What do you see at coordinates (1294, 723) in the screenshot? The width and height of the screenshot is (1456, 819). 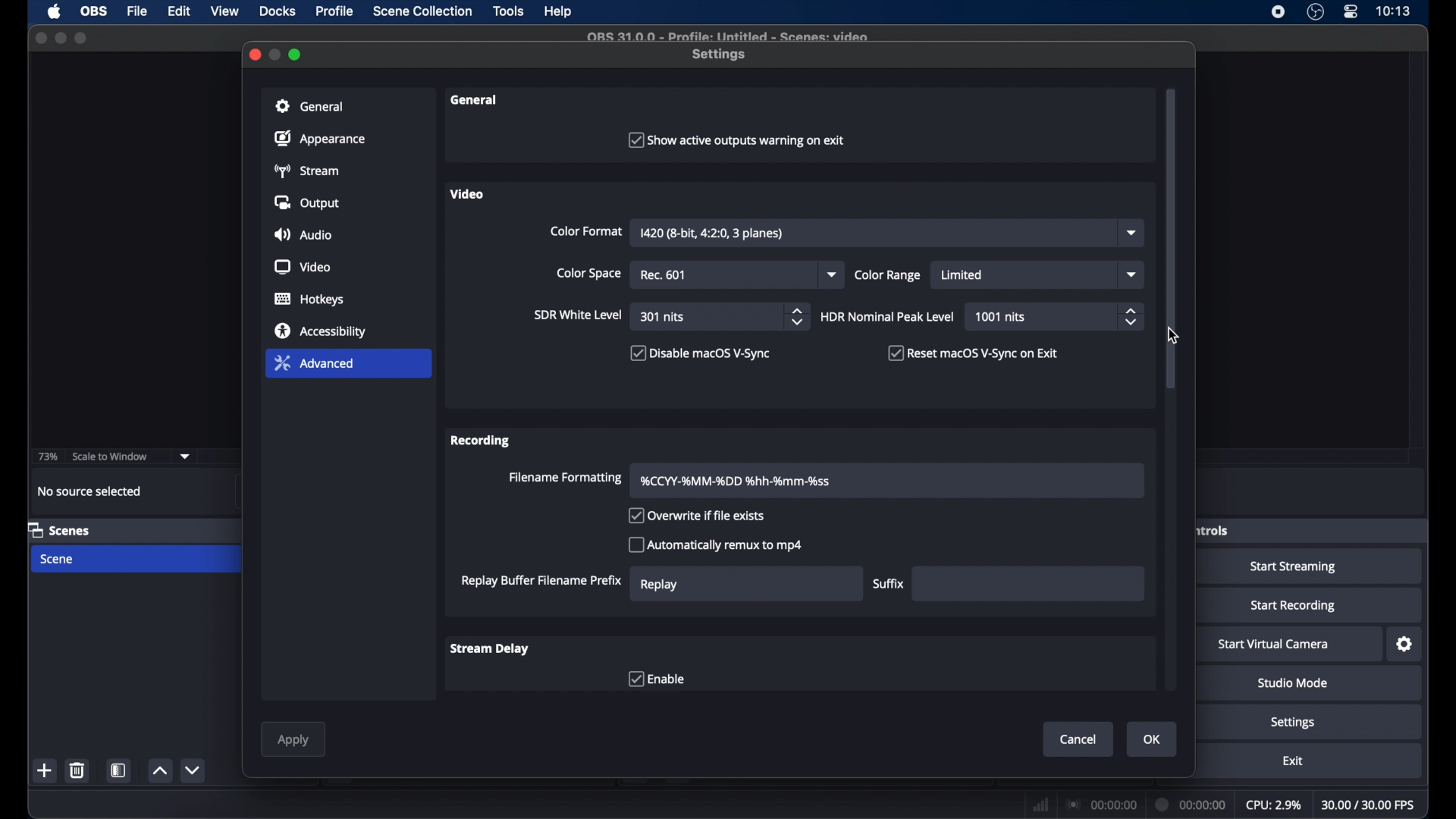 I see `settings` at bounding box center [1294, 723].